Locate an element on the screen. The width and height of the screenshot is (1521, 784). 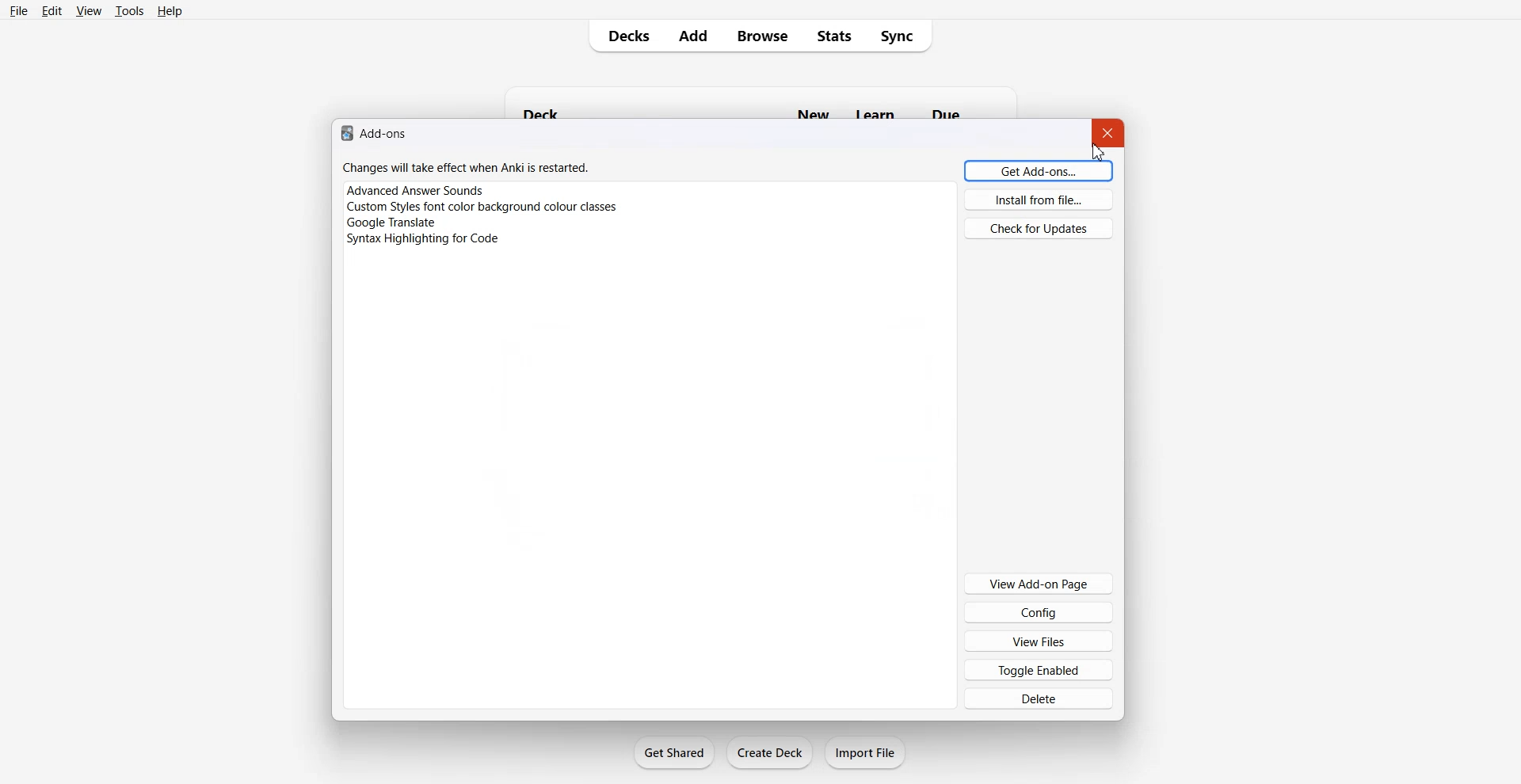
Install from file is located at coordinates (1039, 200).